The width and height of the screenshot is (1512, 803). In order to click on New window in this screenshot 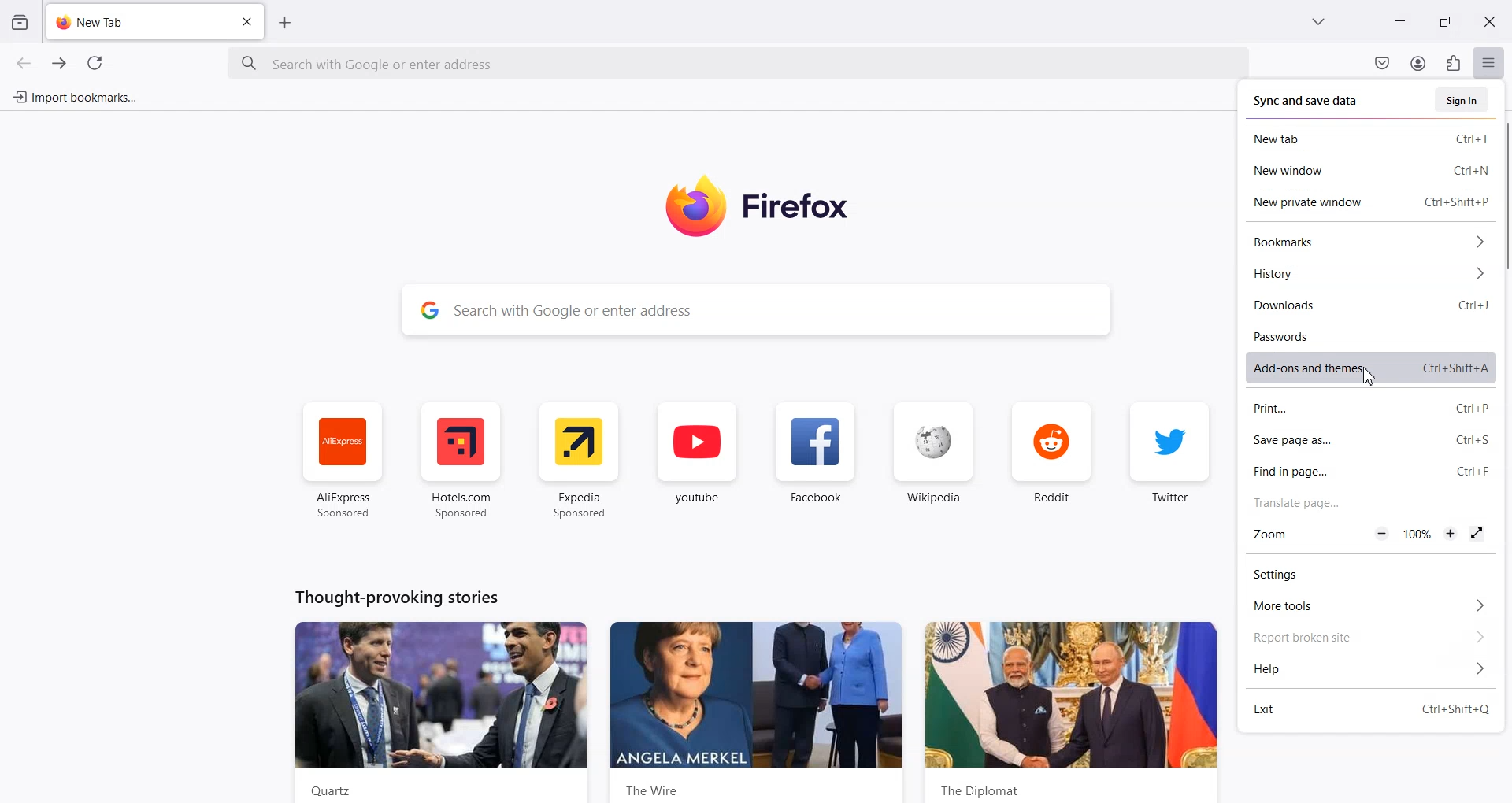, I will do `click(1366, 169)`.